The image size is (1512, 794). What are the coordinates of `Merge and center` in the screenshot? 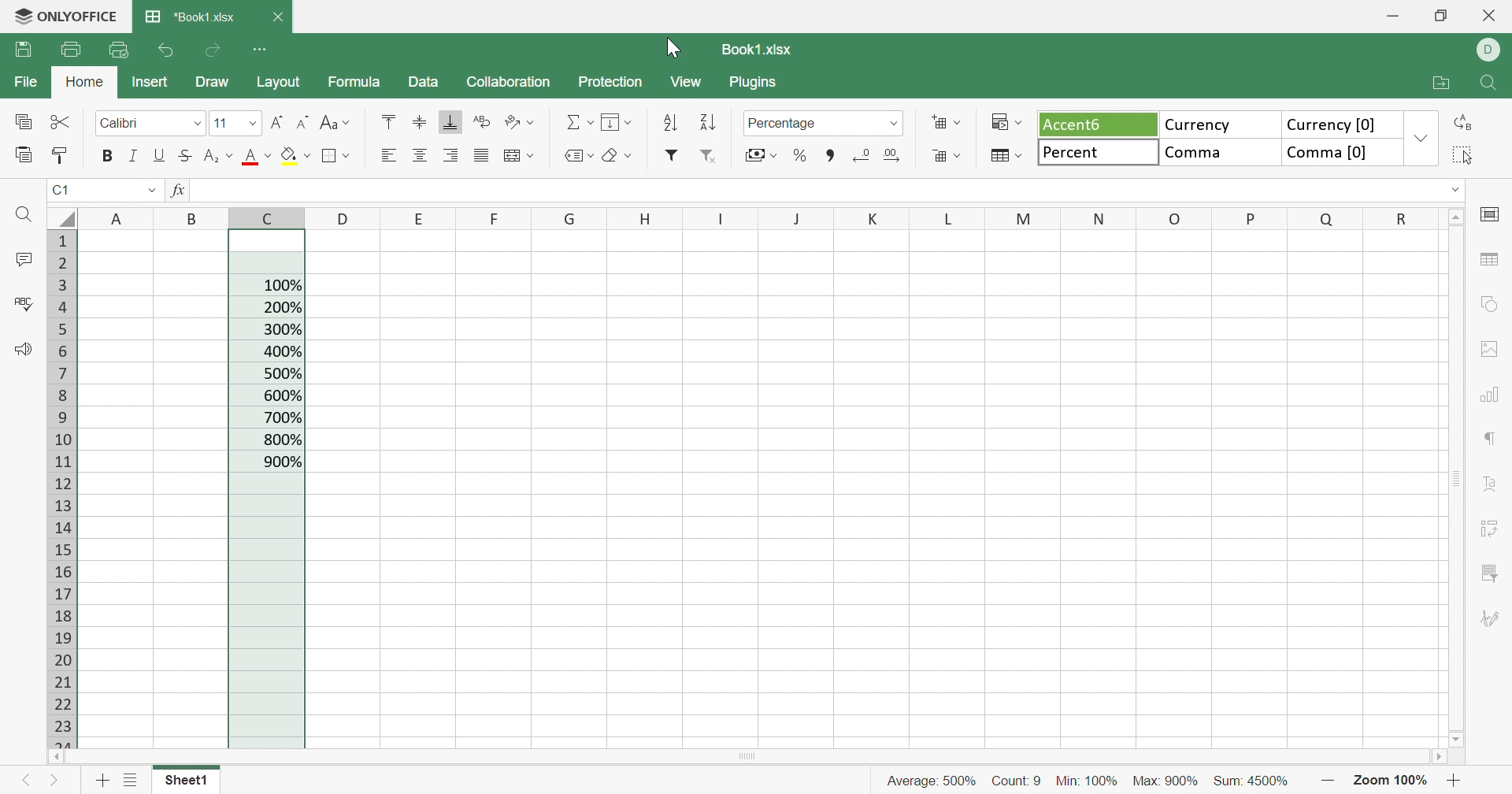 It's located at (519, 155).